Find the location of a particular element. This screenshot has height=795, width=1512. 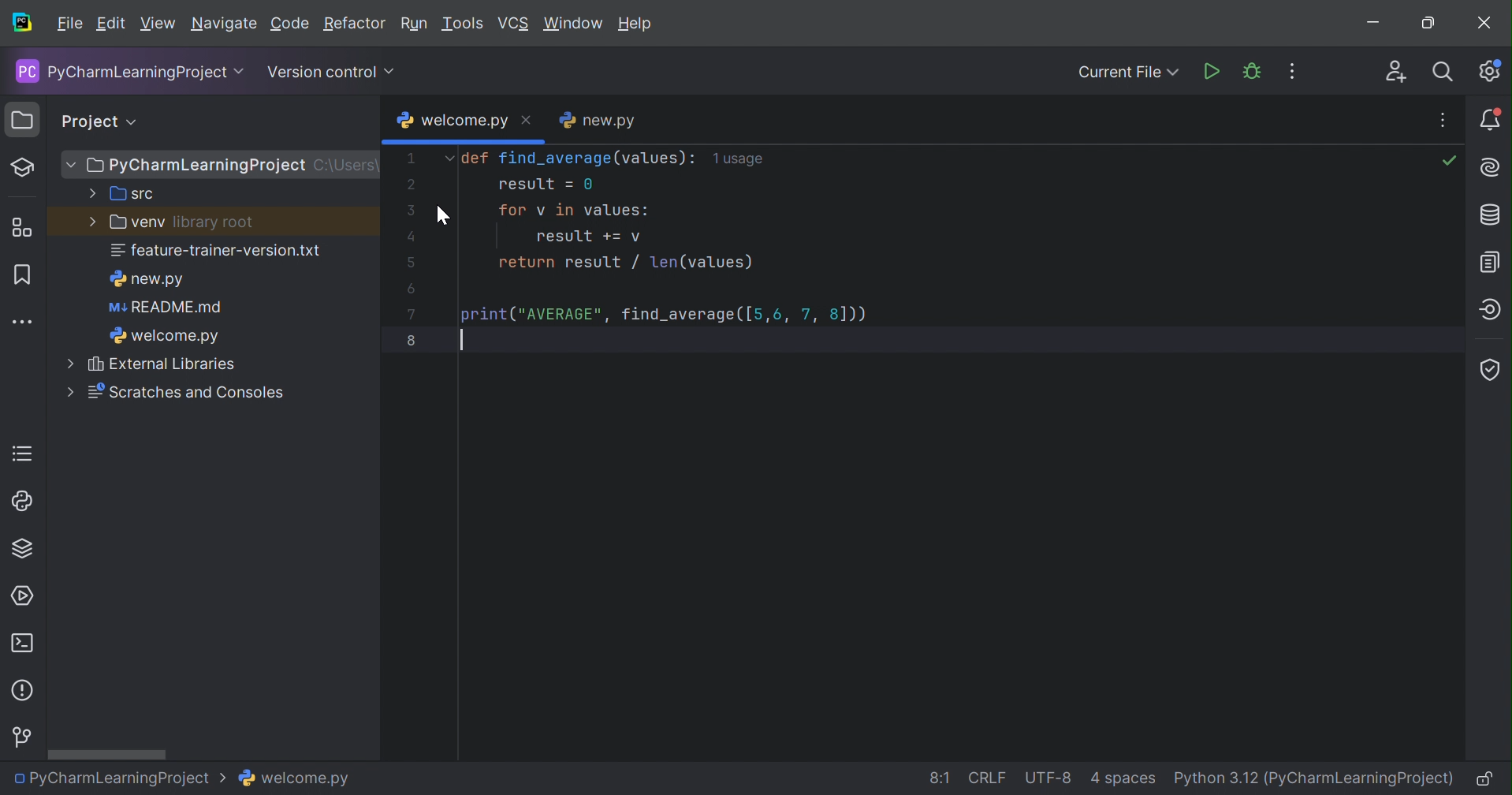

PyCharmLearningProject is located at coordinates (125, 73).